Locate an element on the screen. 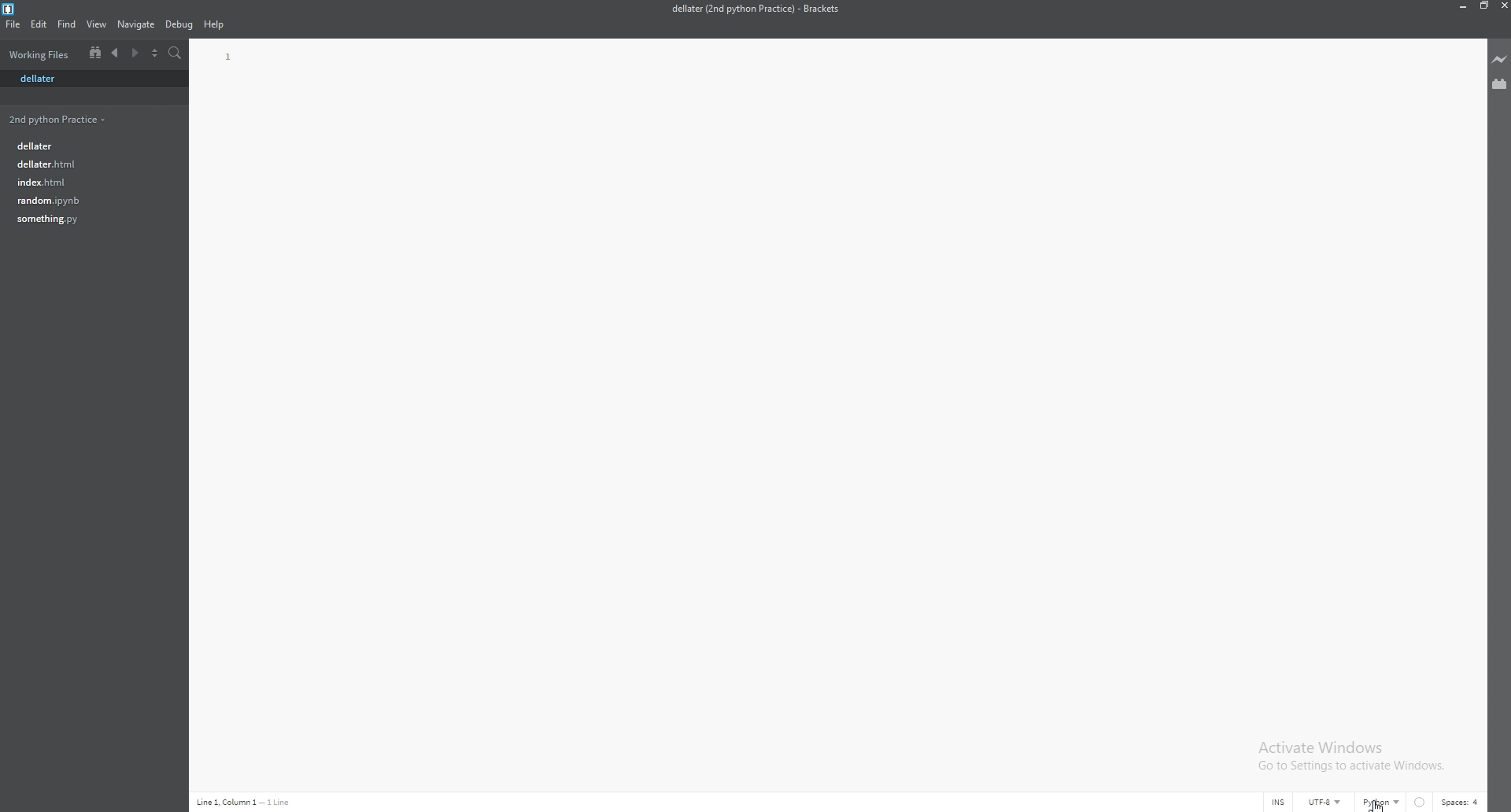  help is located at coordinates (215, 25).